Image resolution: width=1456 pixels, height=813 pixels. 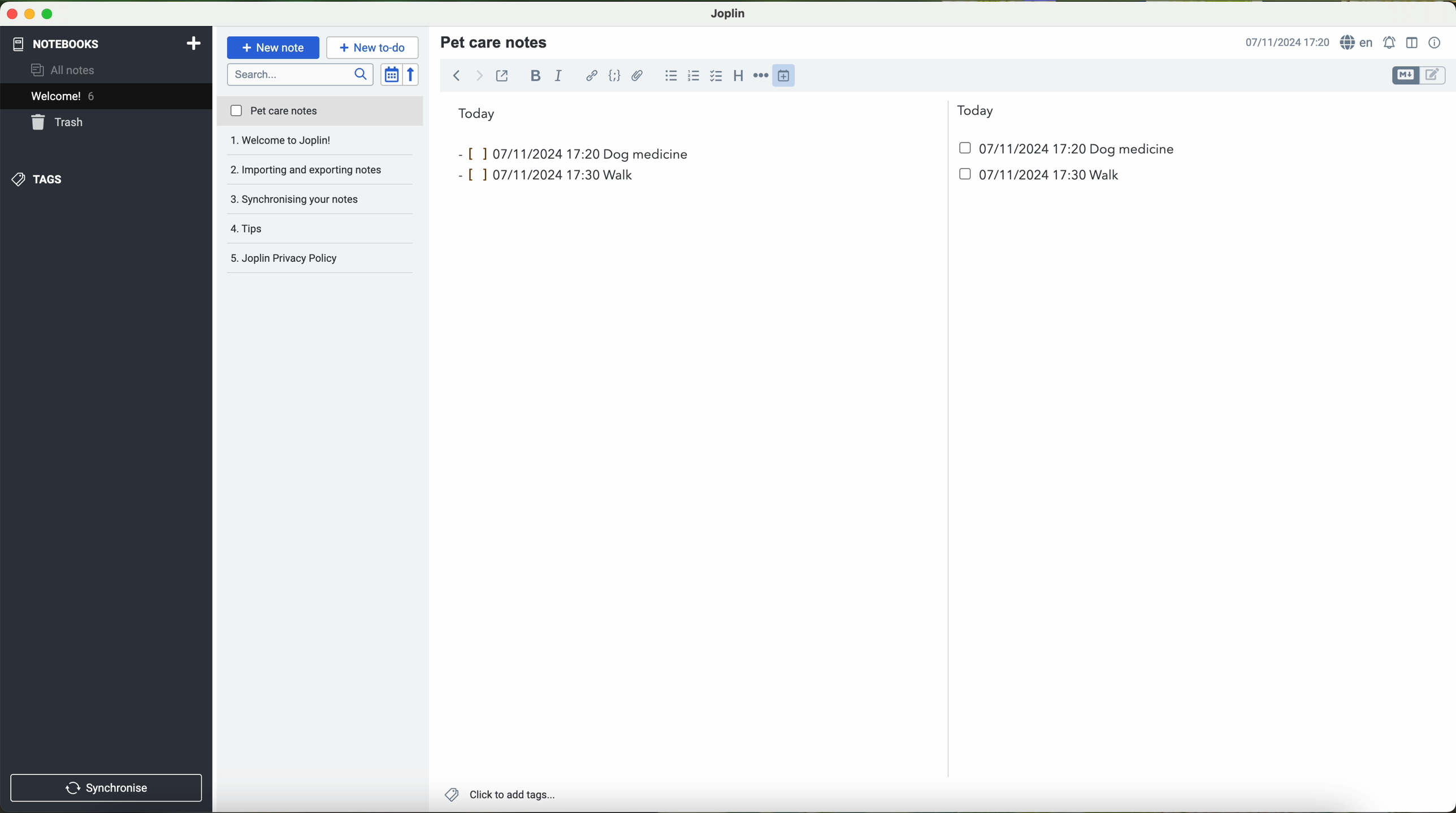 What do you see at coordinates (669, 76) in the screenshot?
I see `bulleted list` at bounding box center [669, 76].